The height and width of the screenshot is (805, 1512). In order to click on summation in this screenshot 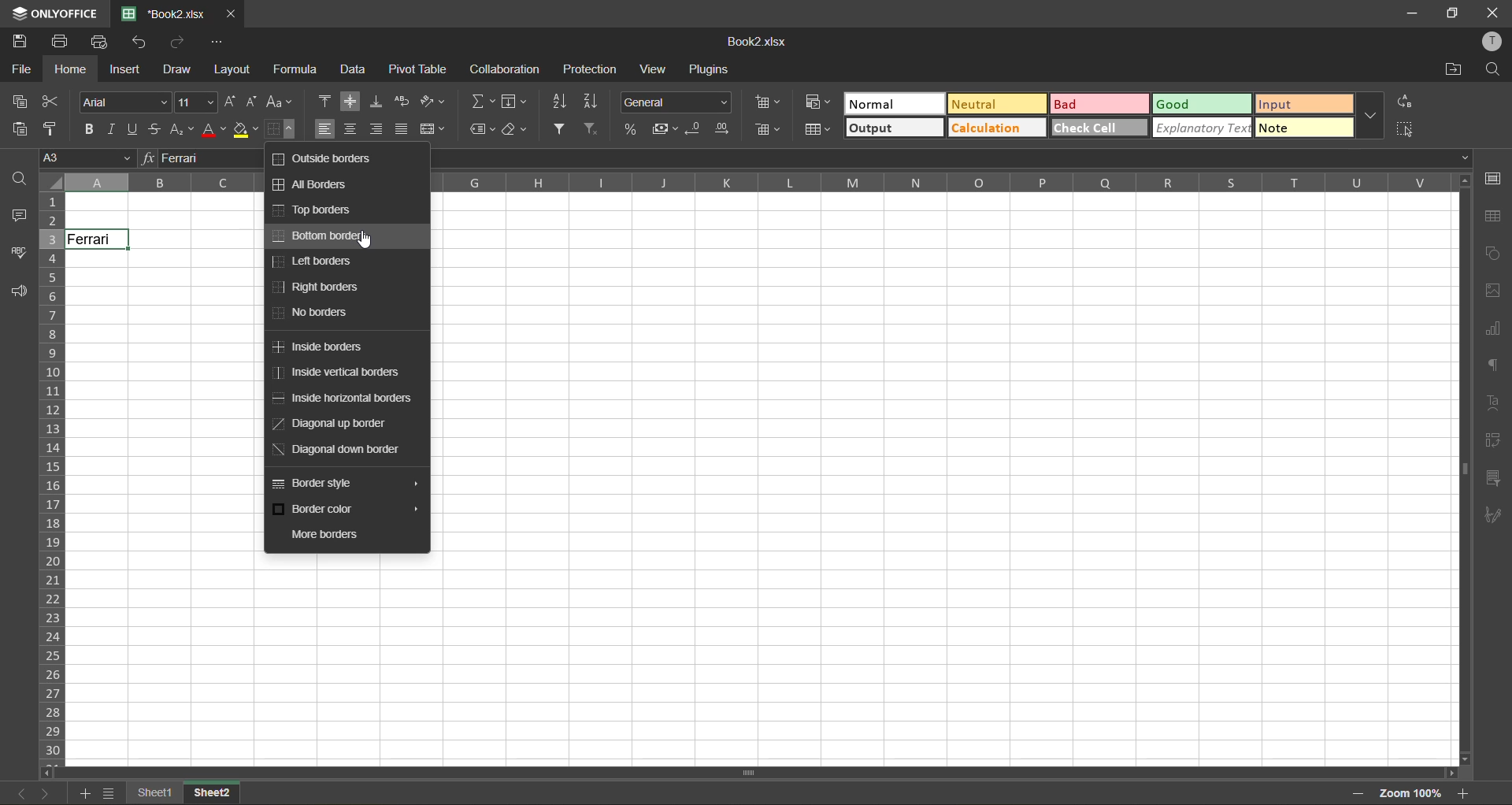, I will do `click(482, 100)`.